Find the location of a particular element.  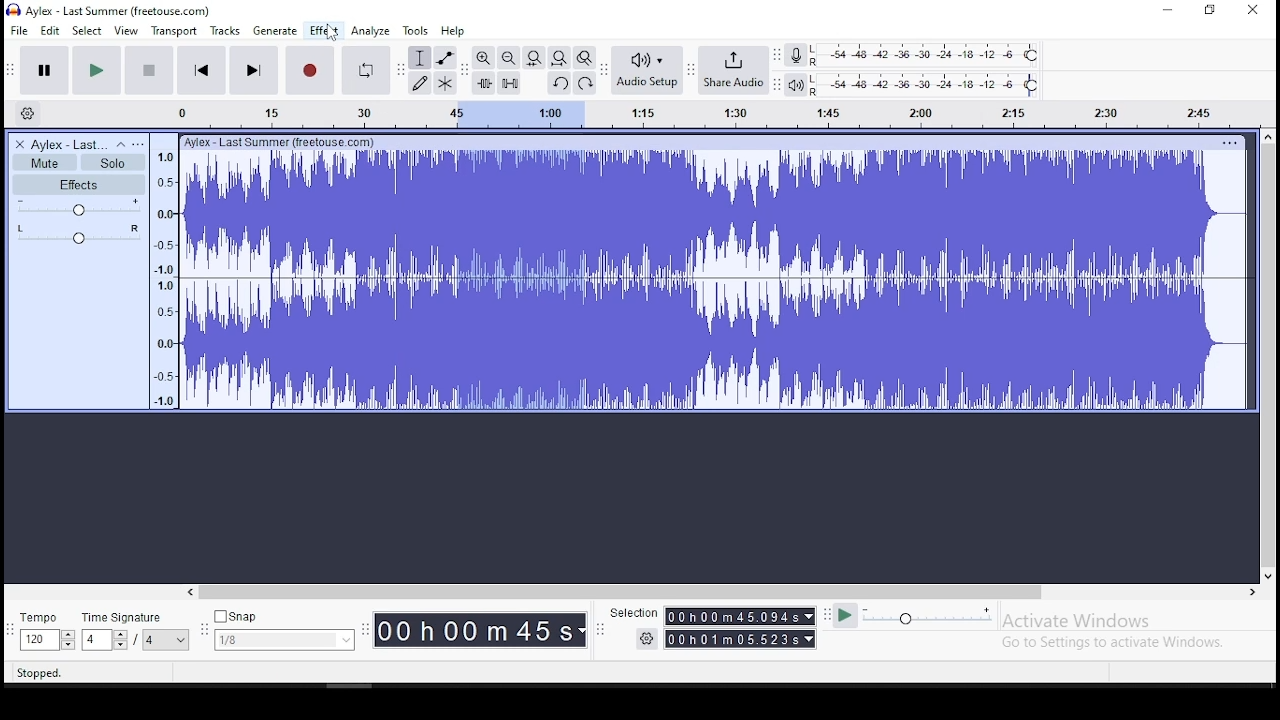

icon and file name is located at coordinates (110, 10).